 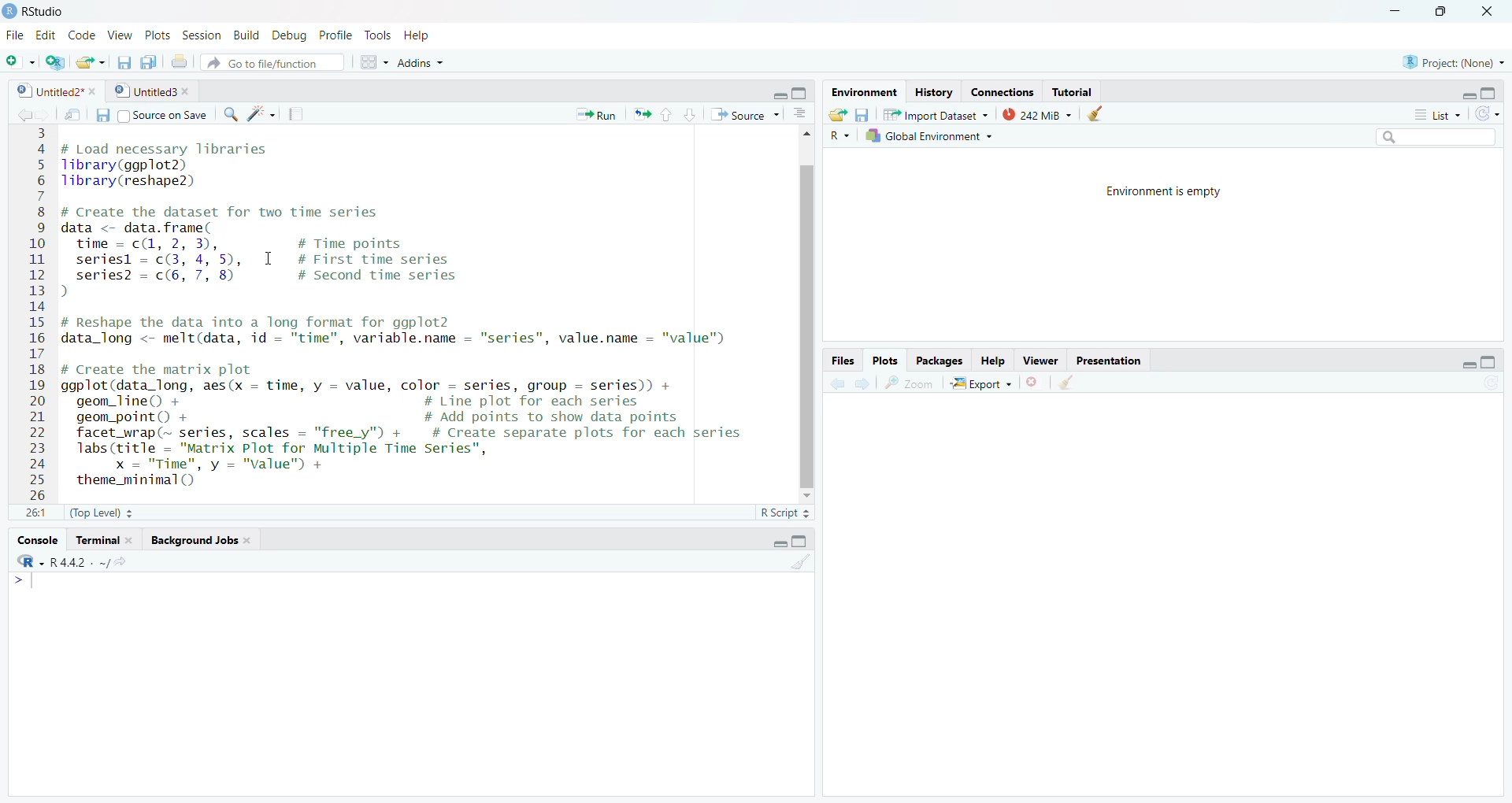 I want to click on List, so click(x=1440, y=115).